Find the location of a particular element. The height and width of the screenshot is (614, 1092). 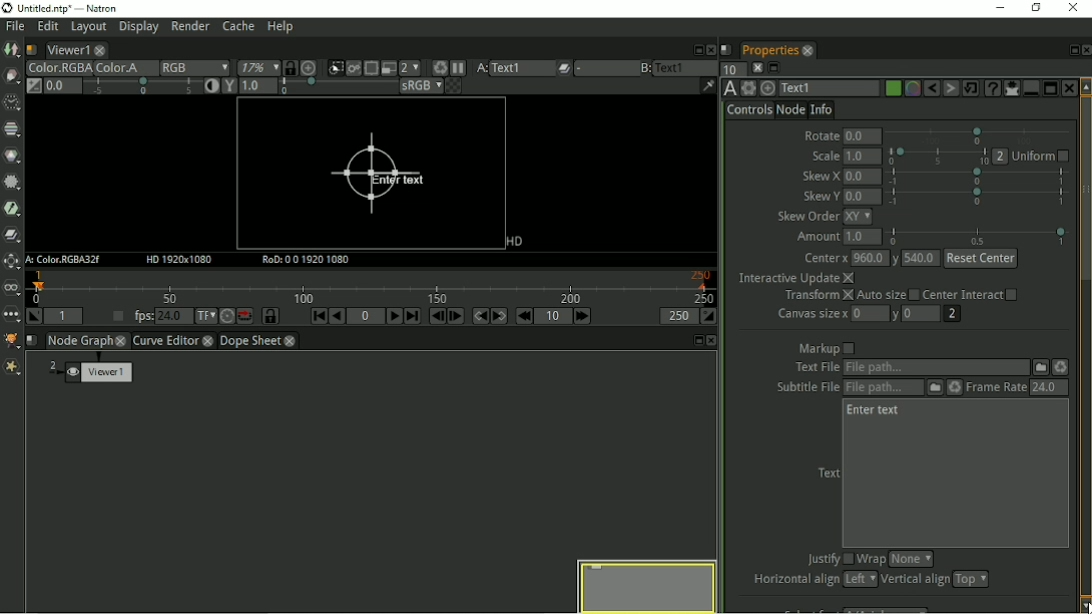

Display is located at coordinates (138, 29).